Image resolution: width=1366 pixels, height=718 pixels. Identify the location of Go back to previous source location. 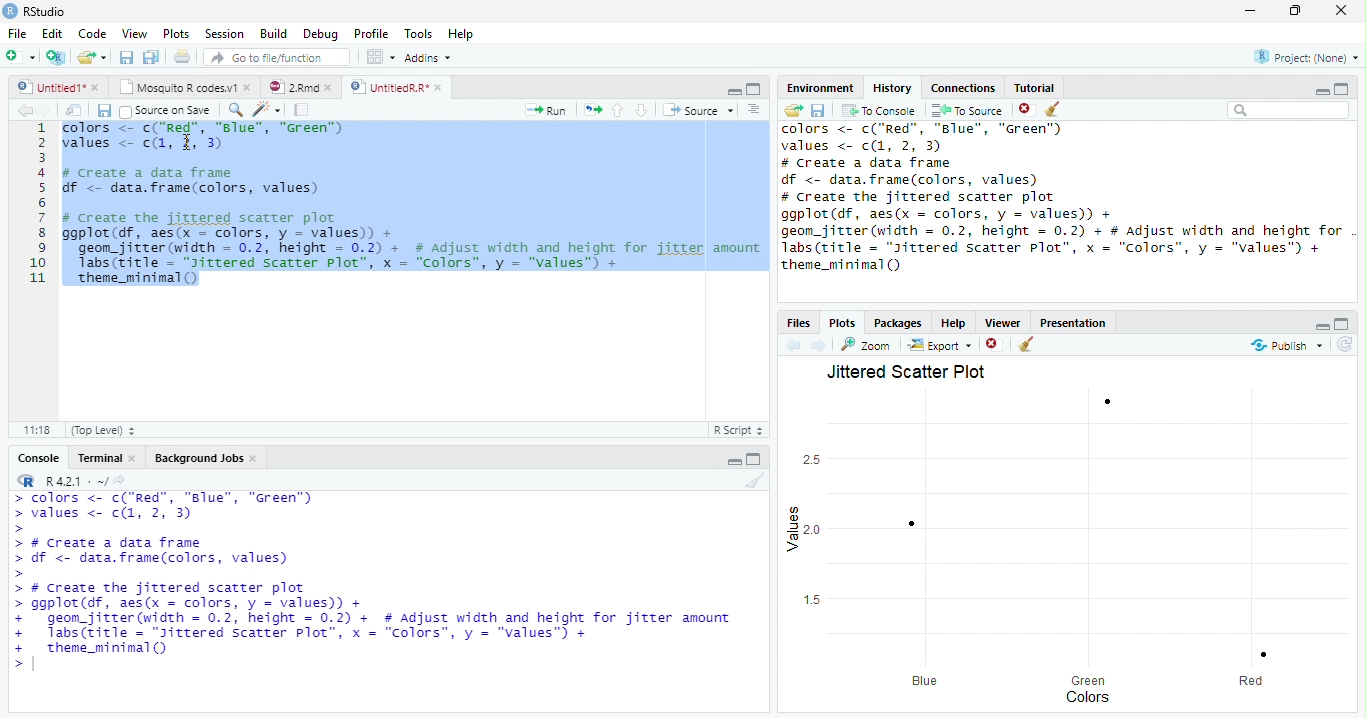
(23, 111).